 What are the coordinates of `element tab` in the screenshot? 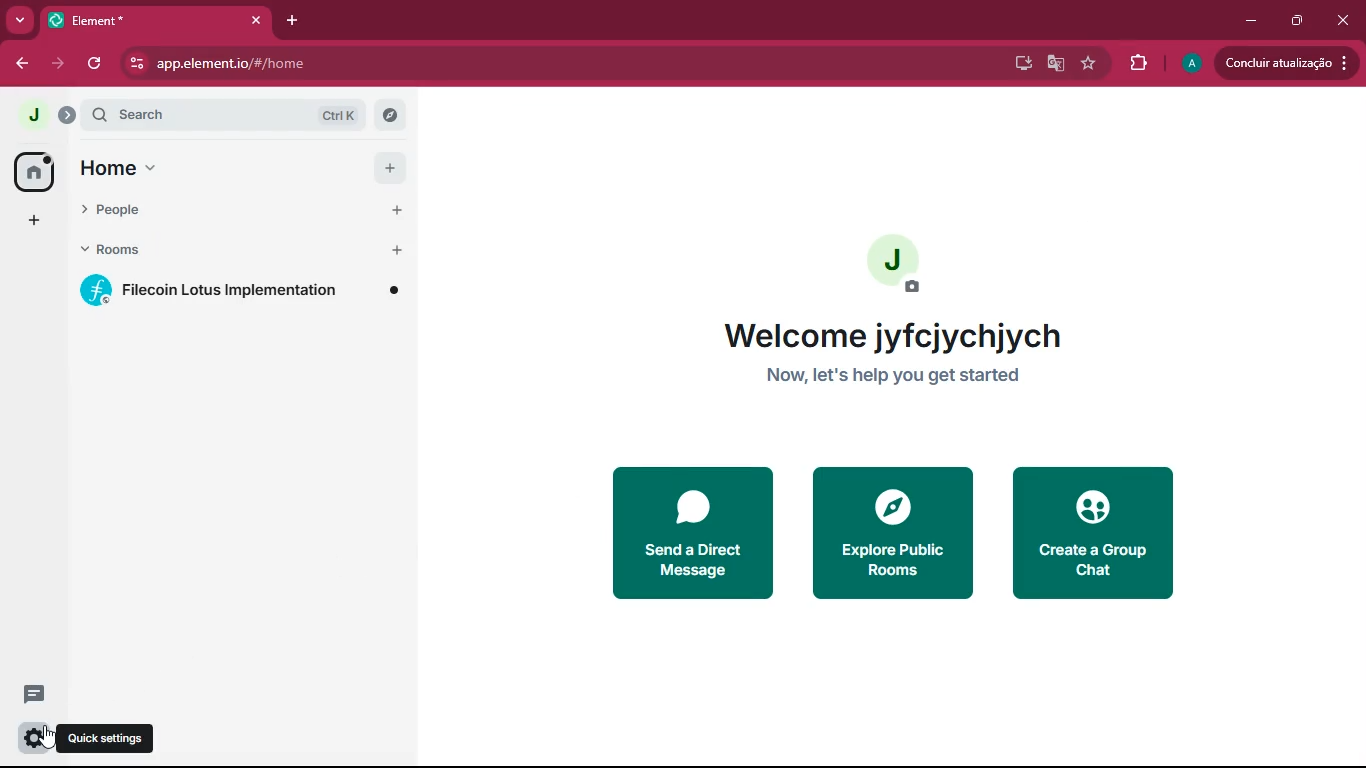 It's located at (158, 21).